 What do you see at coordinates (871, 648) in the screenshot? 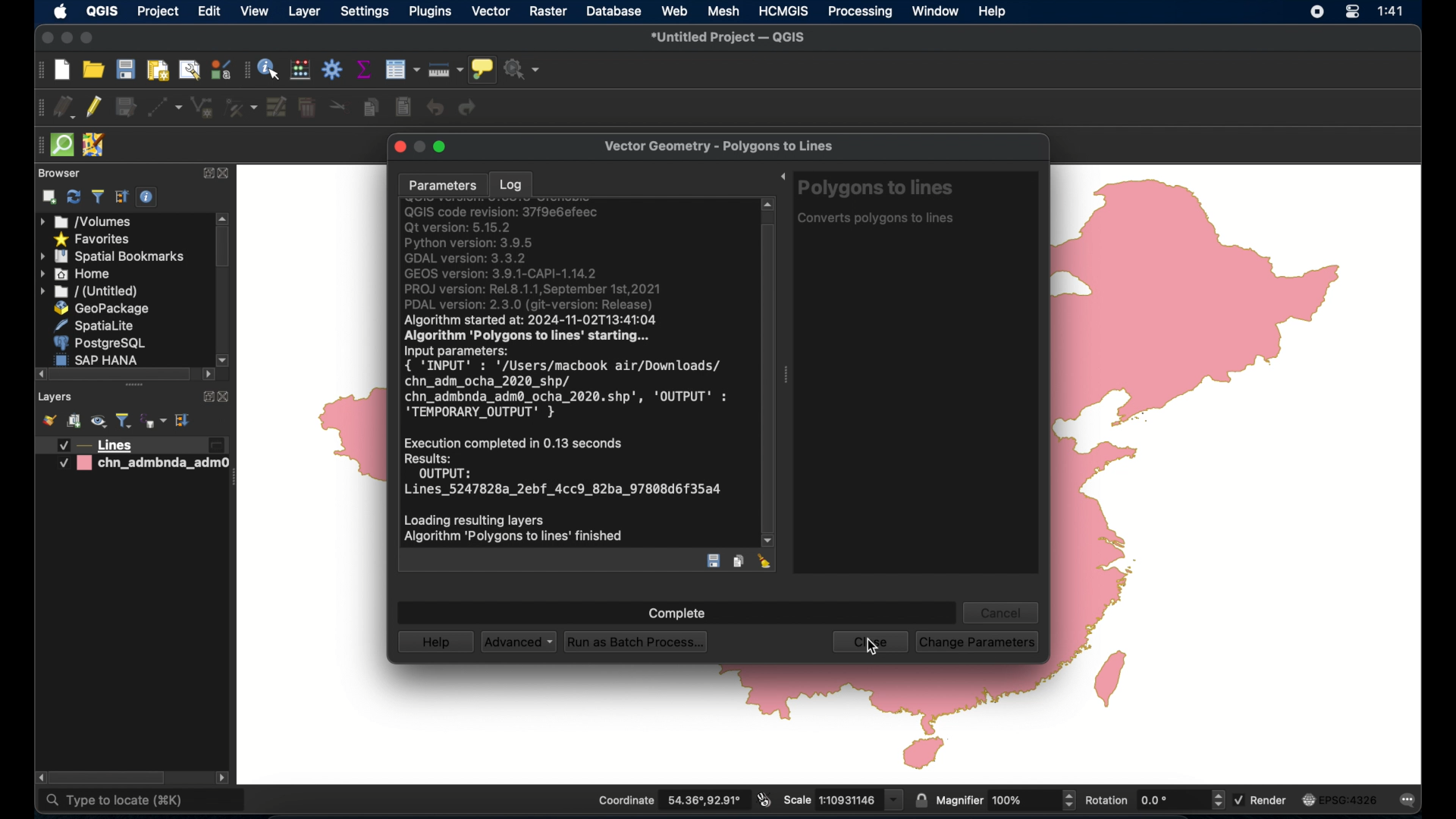
I see `cursor` at bounding box center [871, 648].